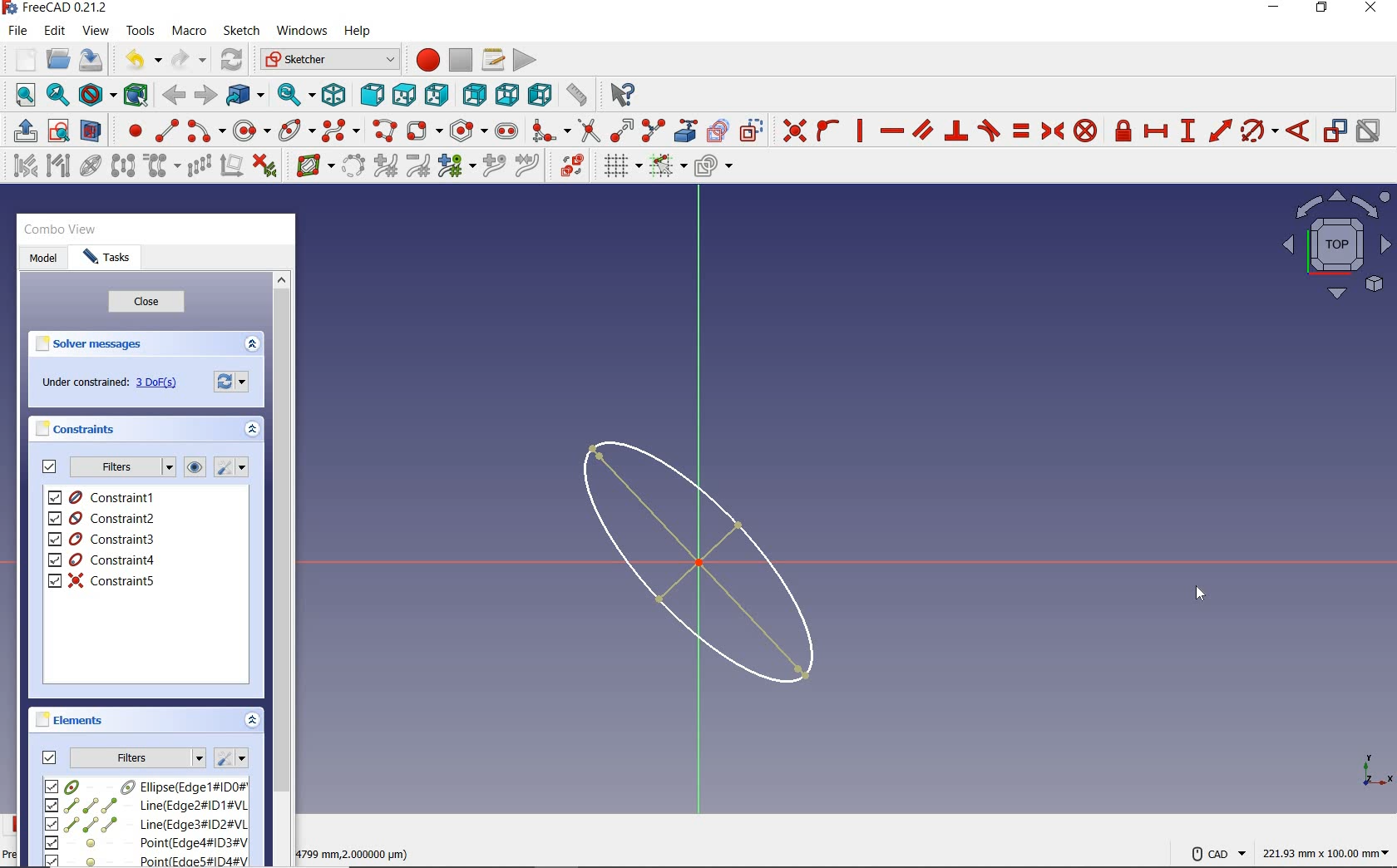 This screenshot has width=1397, height=868. Describe the element at coordinates (21, 59) in the screenshot. I see `new` at that location.